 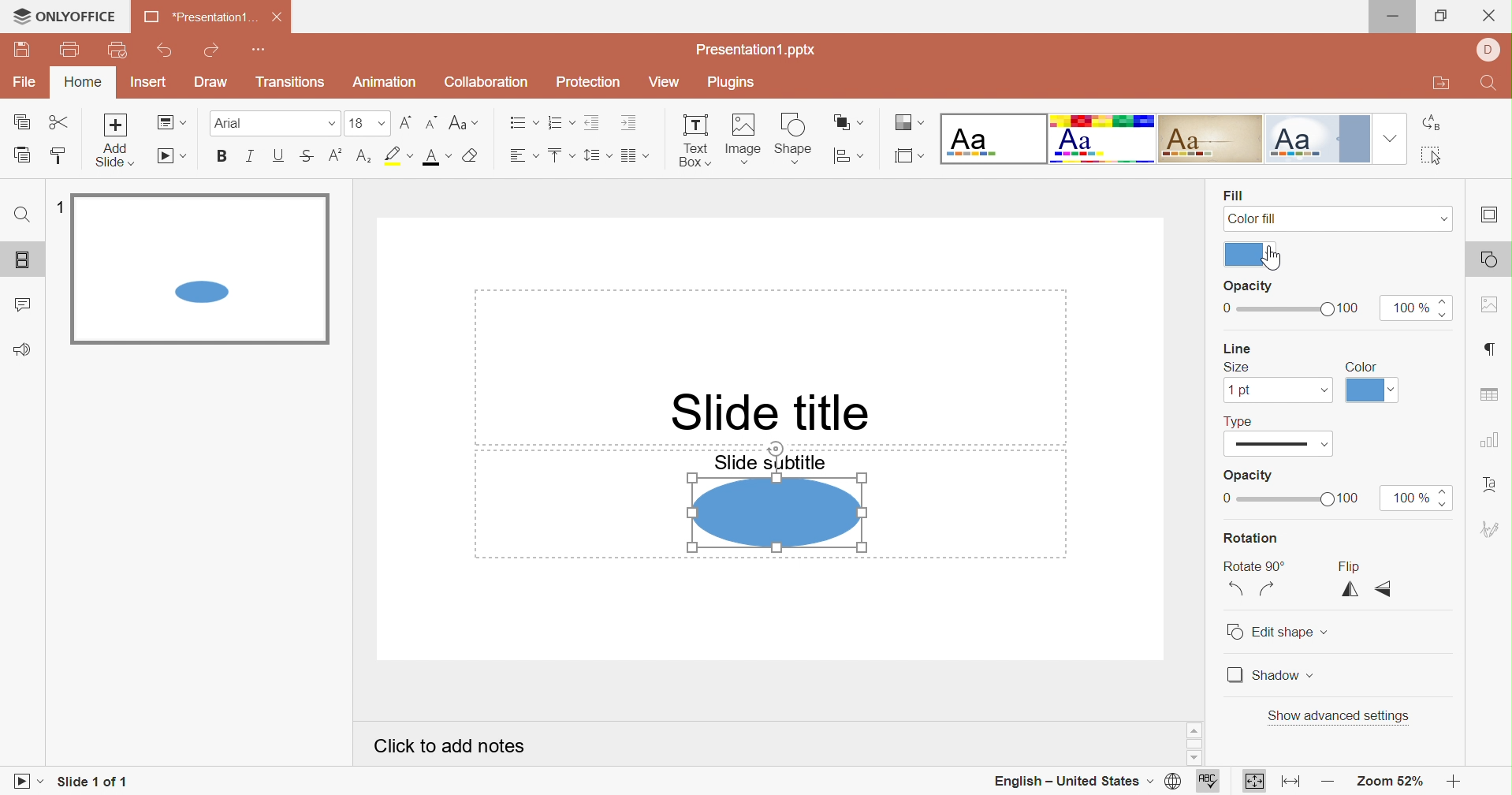 What do you see at coordinates (277, 155) in the screenshot?
I see `Underline` at bounding box center [277, 155].